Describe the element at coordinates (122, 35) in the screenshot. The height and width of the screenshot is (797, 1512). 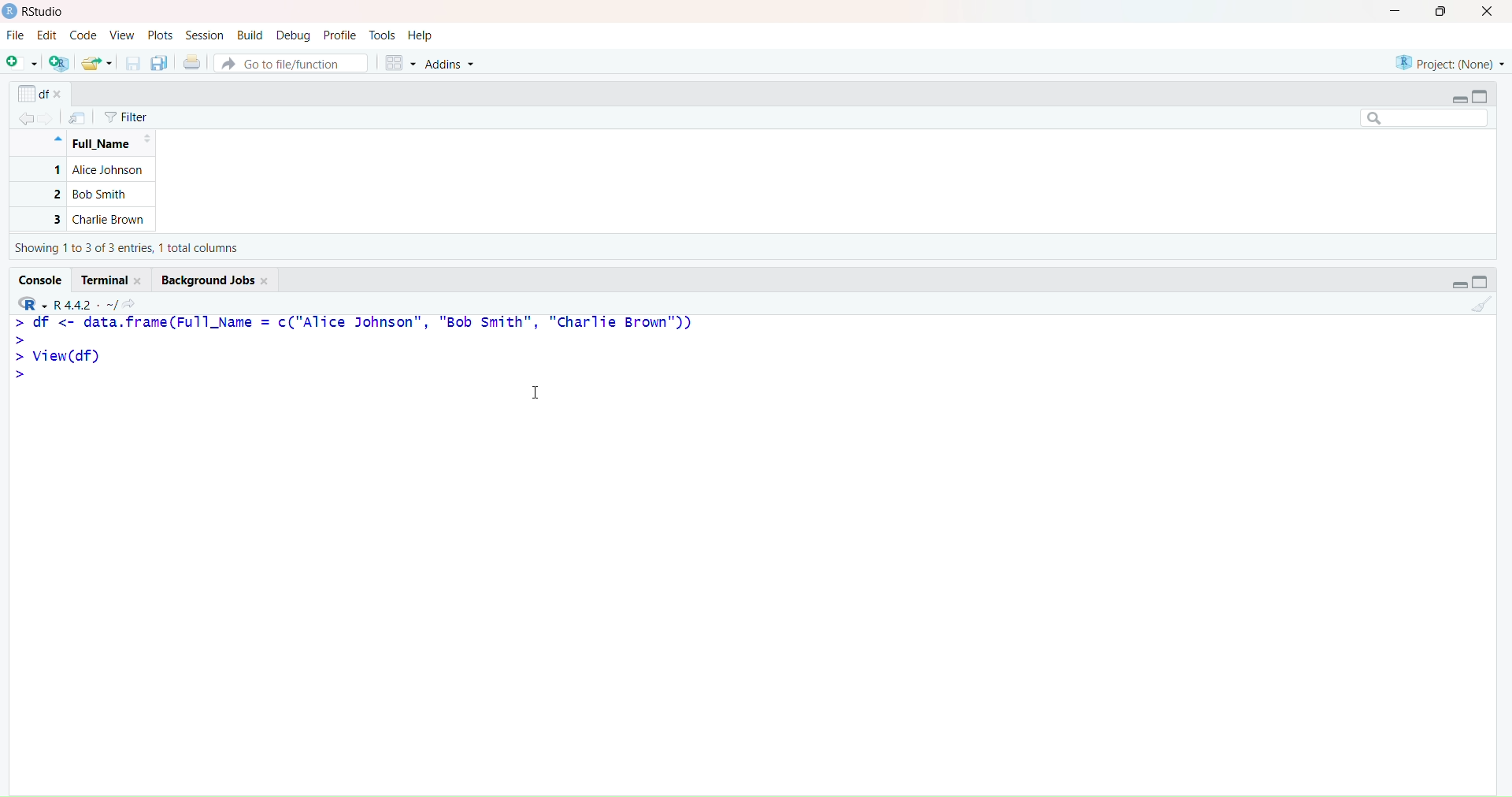
I see `View` at that location.